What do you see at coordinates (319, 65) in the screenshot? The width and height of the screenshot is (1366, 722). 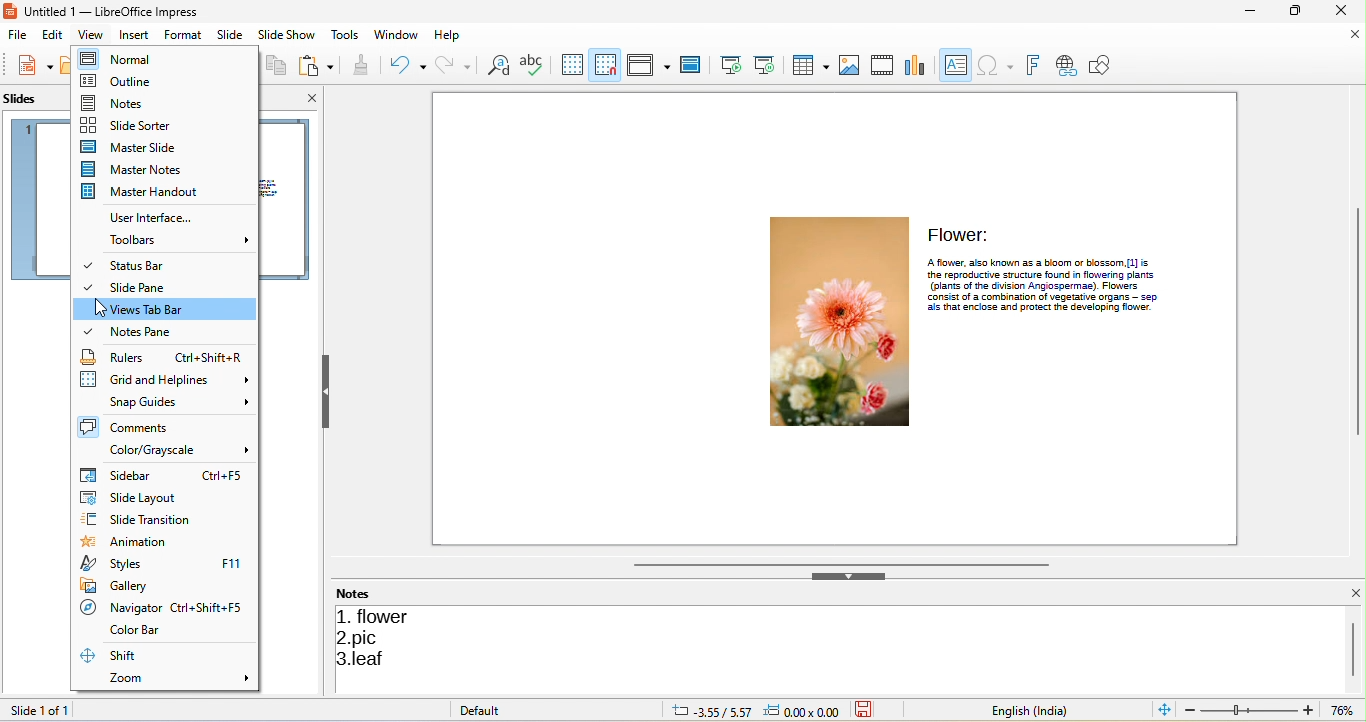 I see `paste` at bounding box center [319, 65].